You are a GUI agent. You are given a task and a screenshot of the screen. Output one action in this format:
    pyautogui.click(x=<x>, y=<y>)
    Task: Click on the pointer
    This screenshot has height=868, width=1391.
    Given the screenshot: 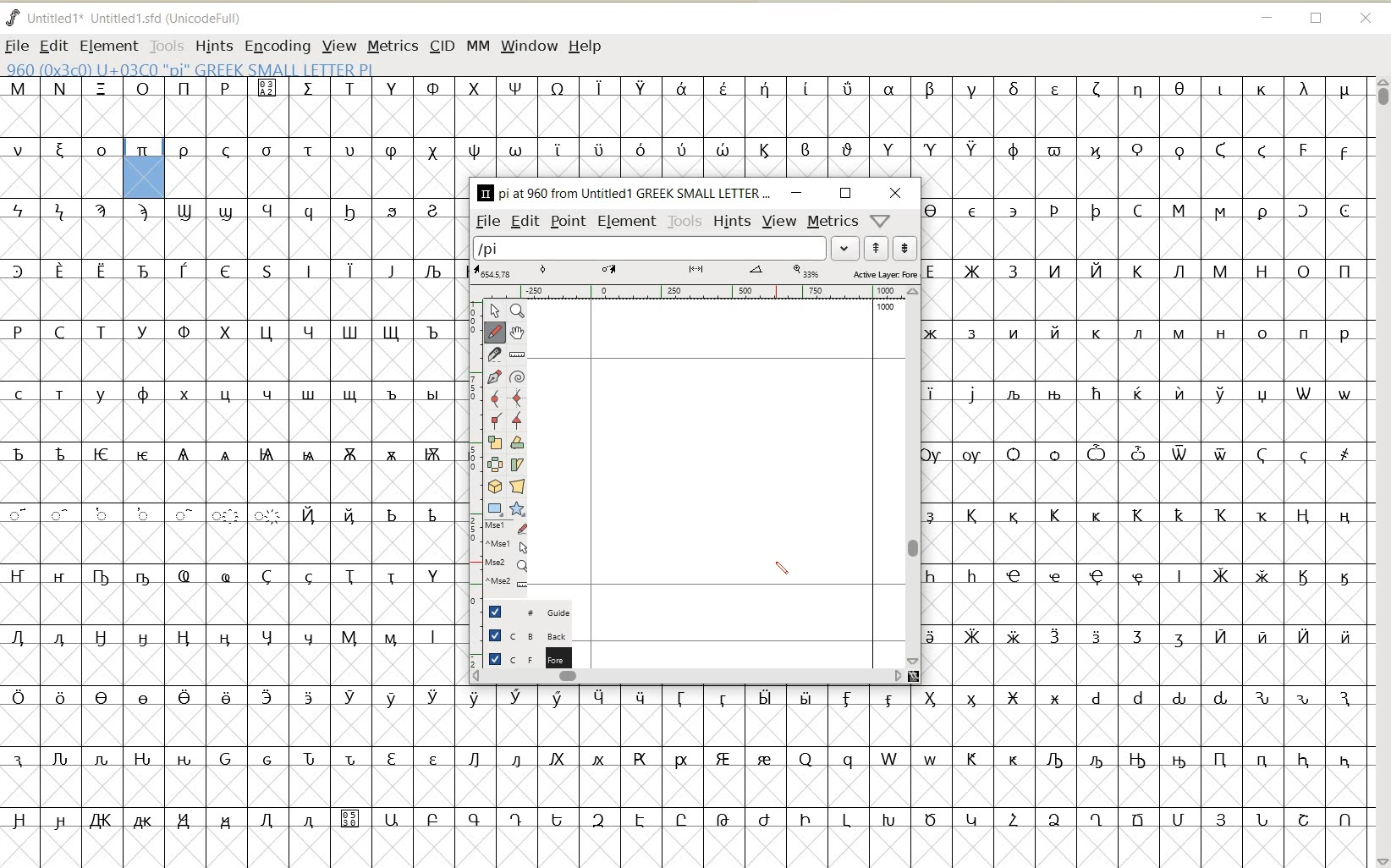 What is the action you would take?
    pyautogui.click(x=494, y=310)
    